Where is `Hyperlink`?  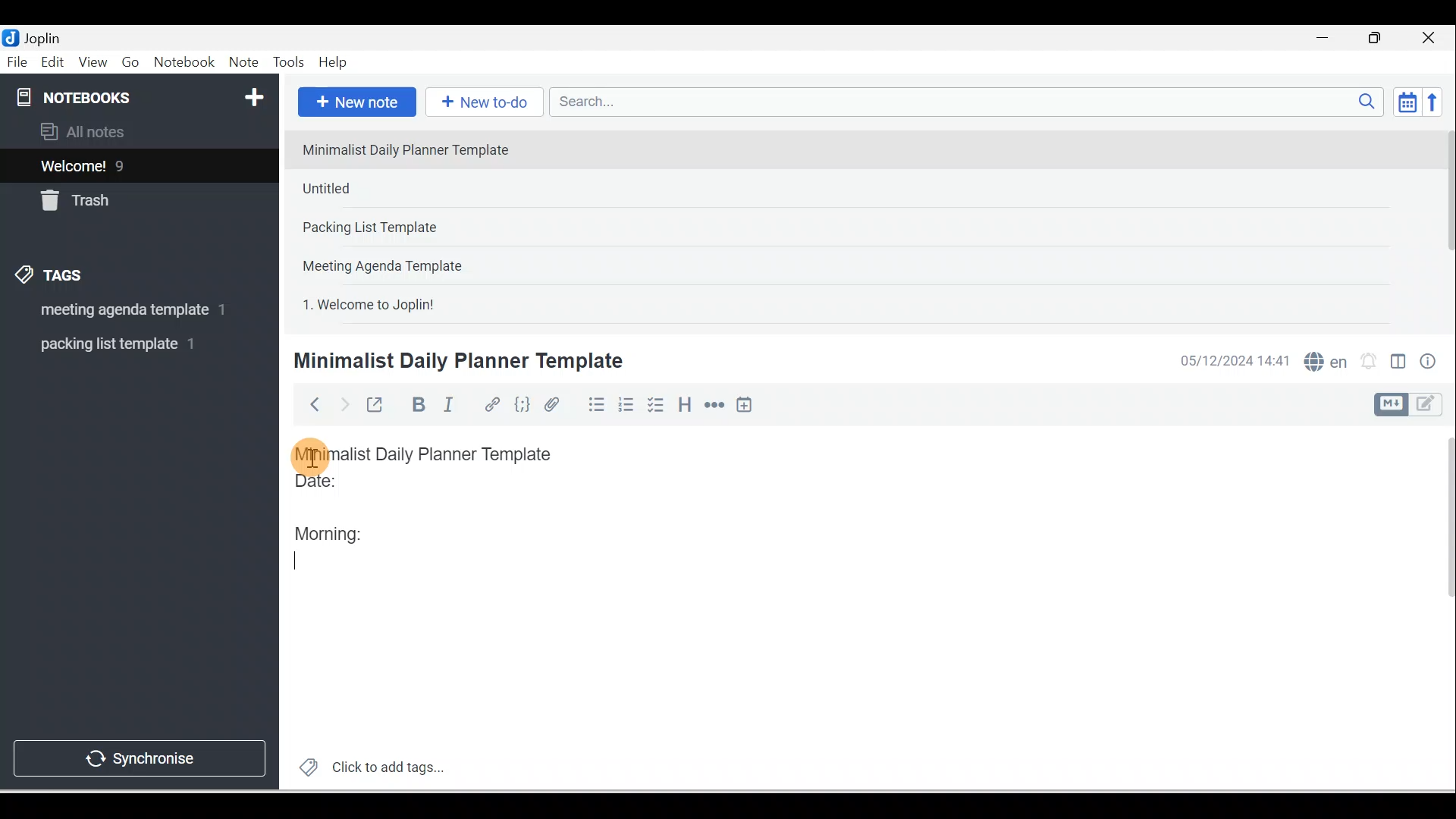 Hyperlink is located at coordinates (491, 406).